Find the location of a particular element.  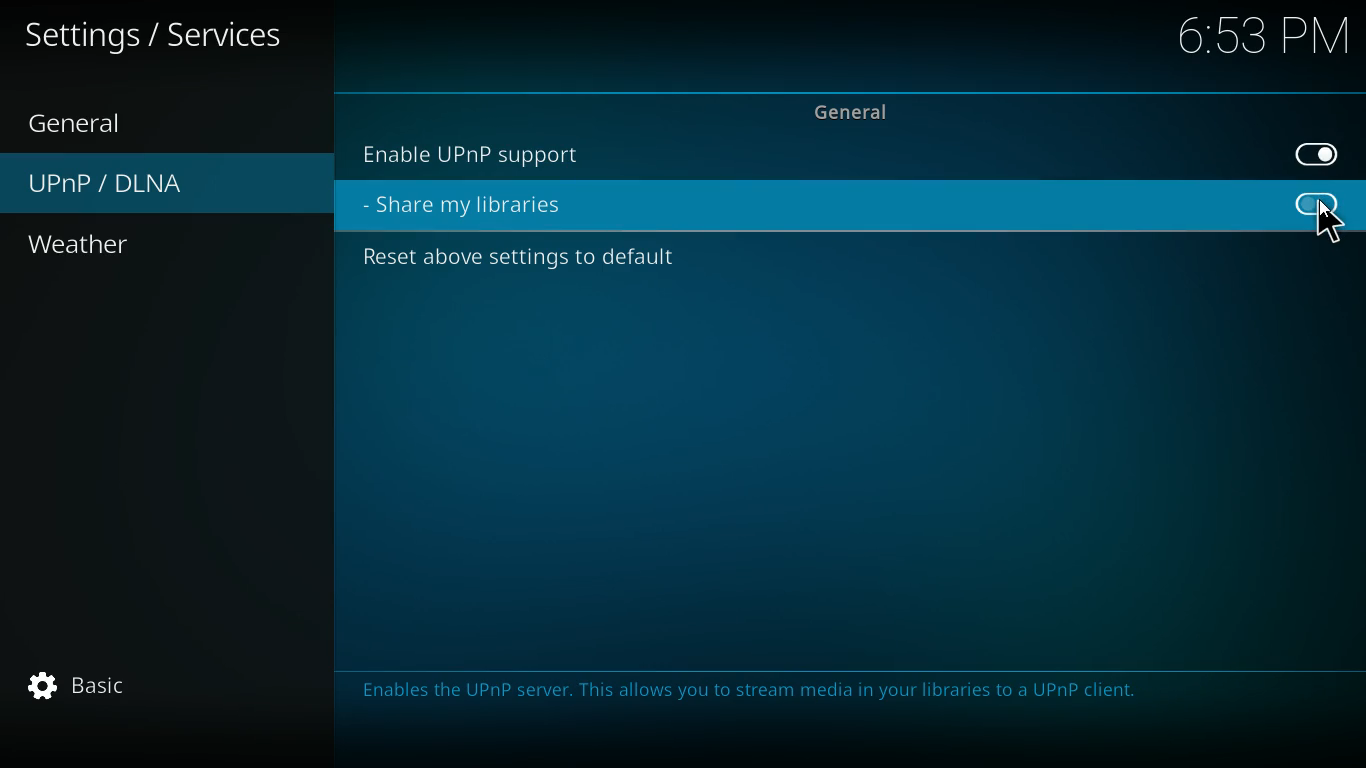

Cursor is located at coordinates (1334, 219).